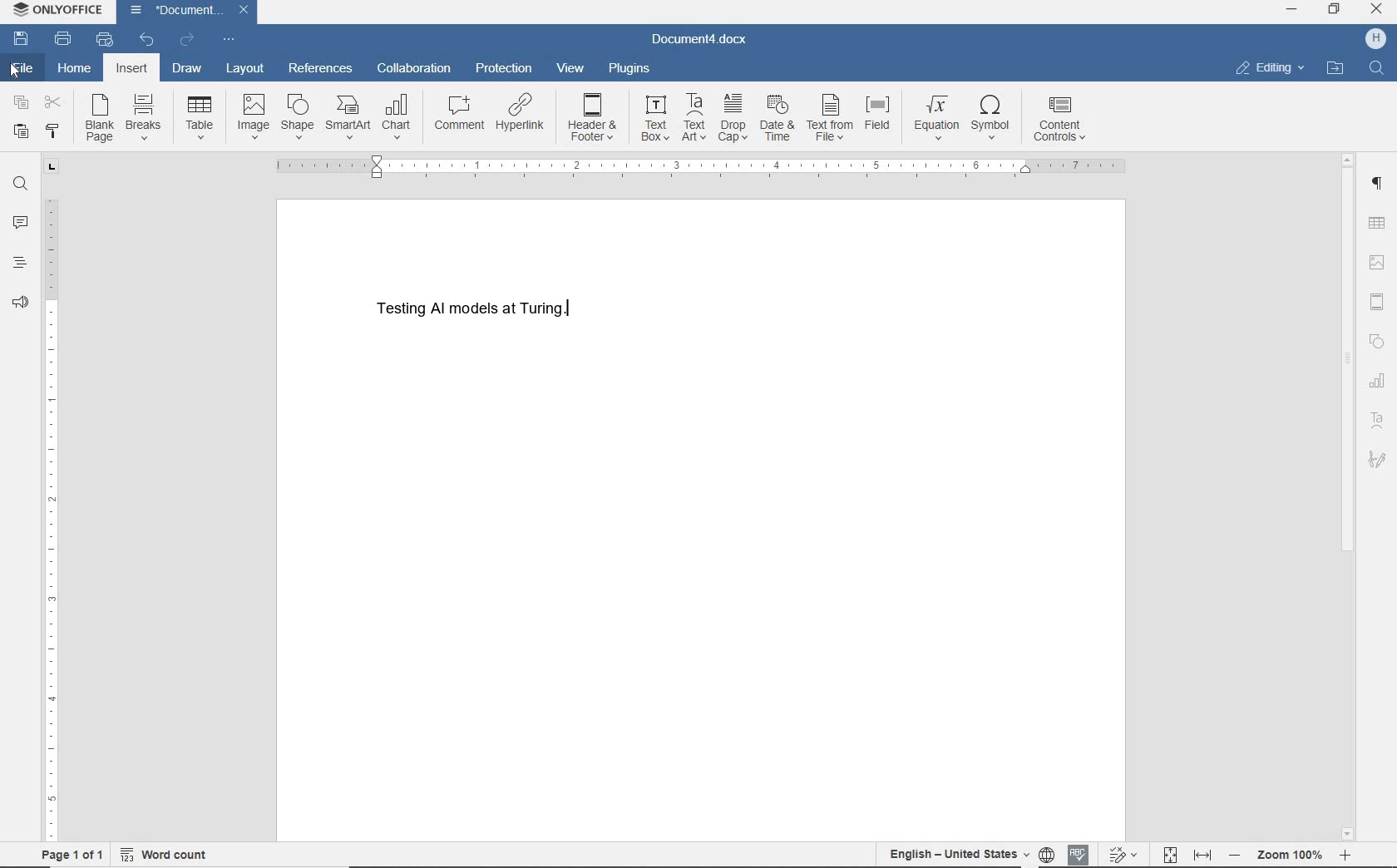 This screenshot has height=868, width=1397. Describe the element at coordinates (415, 69) in the screenshot. I see `collaboration` at that location.